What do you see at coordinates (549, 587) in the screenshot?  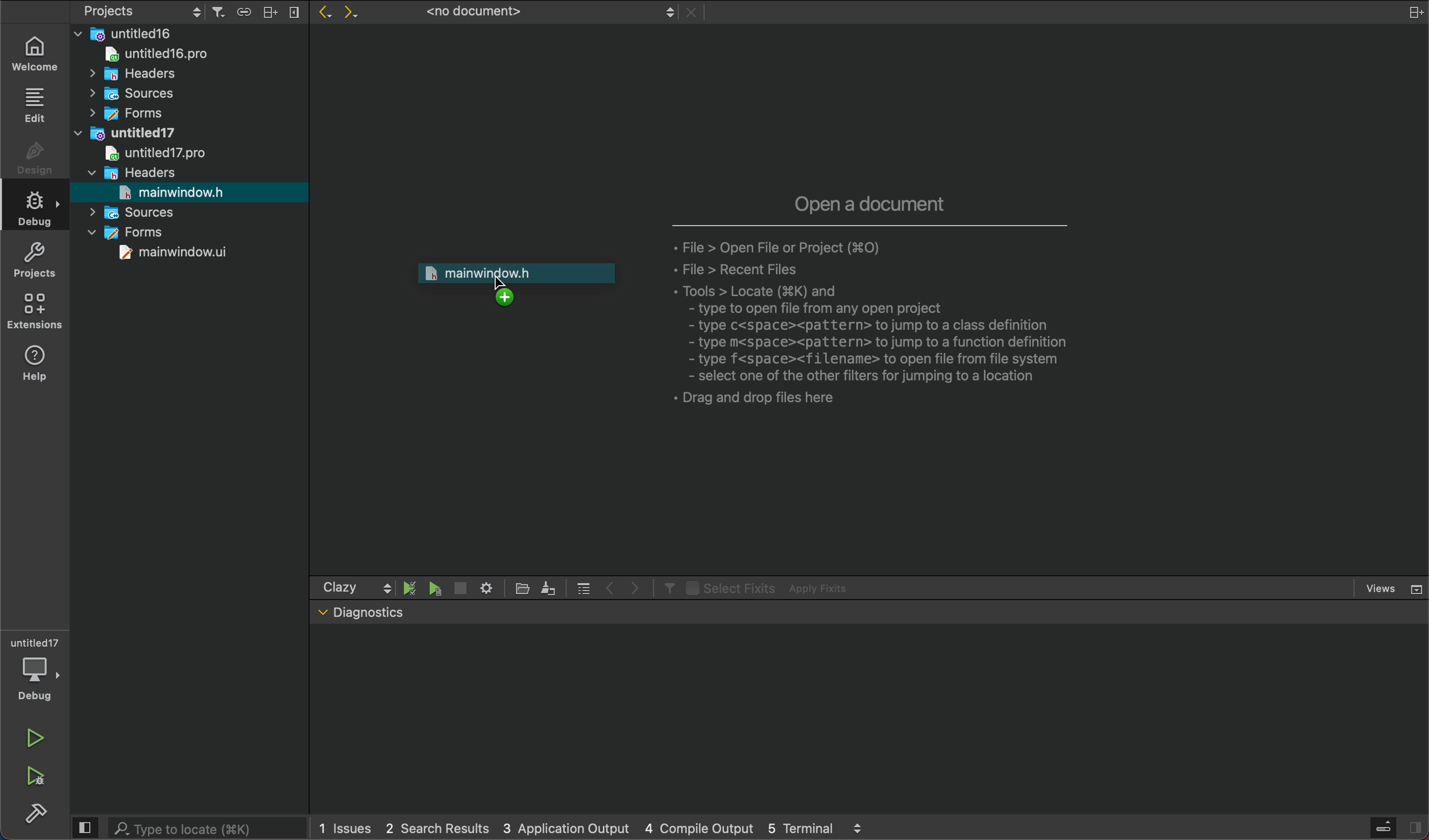 I see `edit` at bounding box center [549, 587].